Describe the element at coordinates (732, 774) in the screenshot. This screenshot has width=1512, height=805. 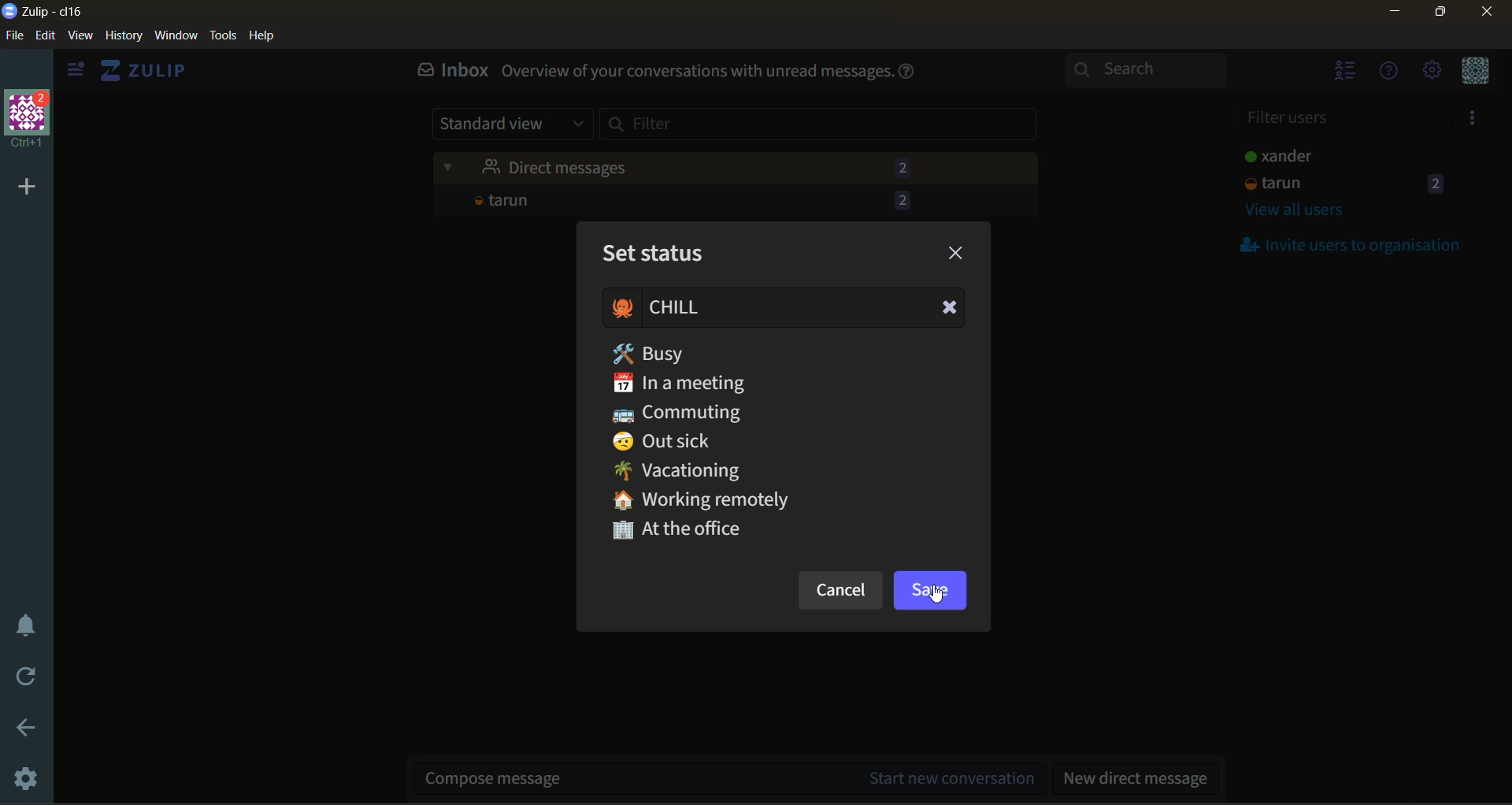
I see `start new conversation` at that location.